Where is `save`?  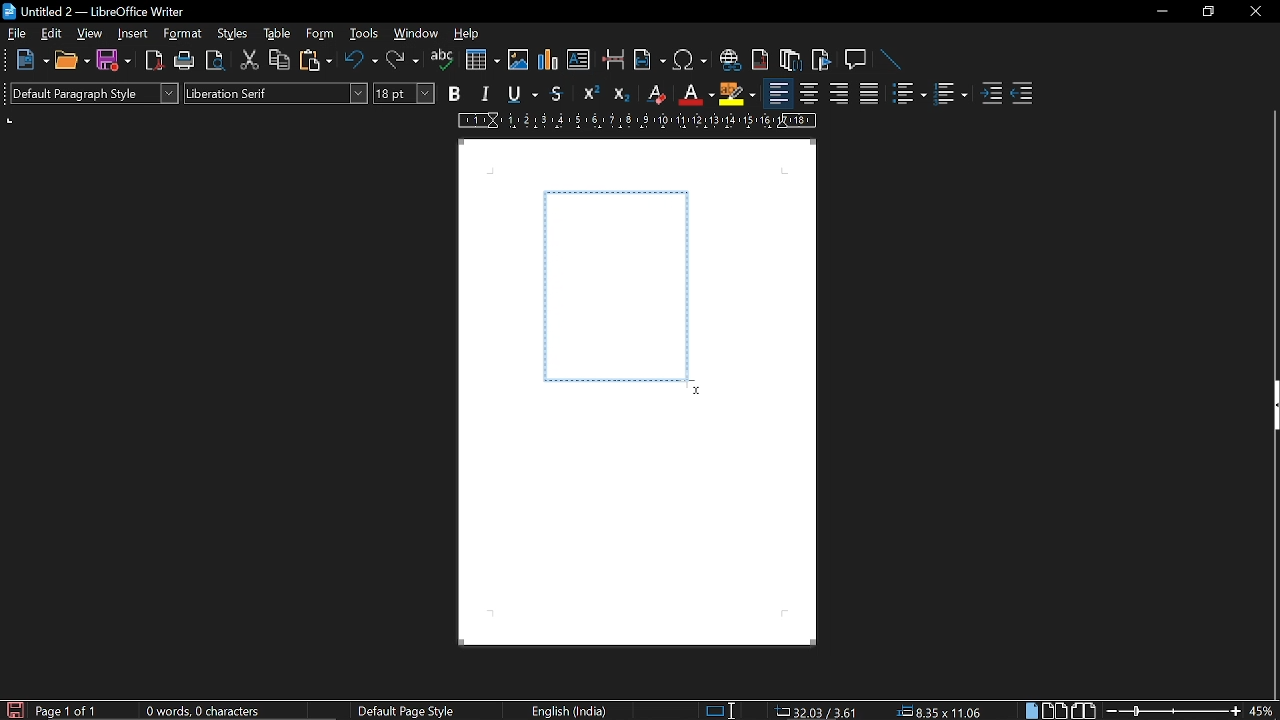
save is located at coordinates (112, 60).